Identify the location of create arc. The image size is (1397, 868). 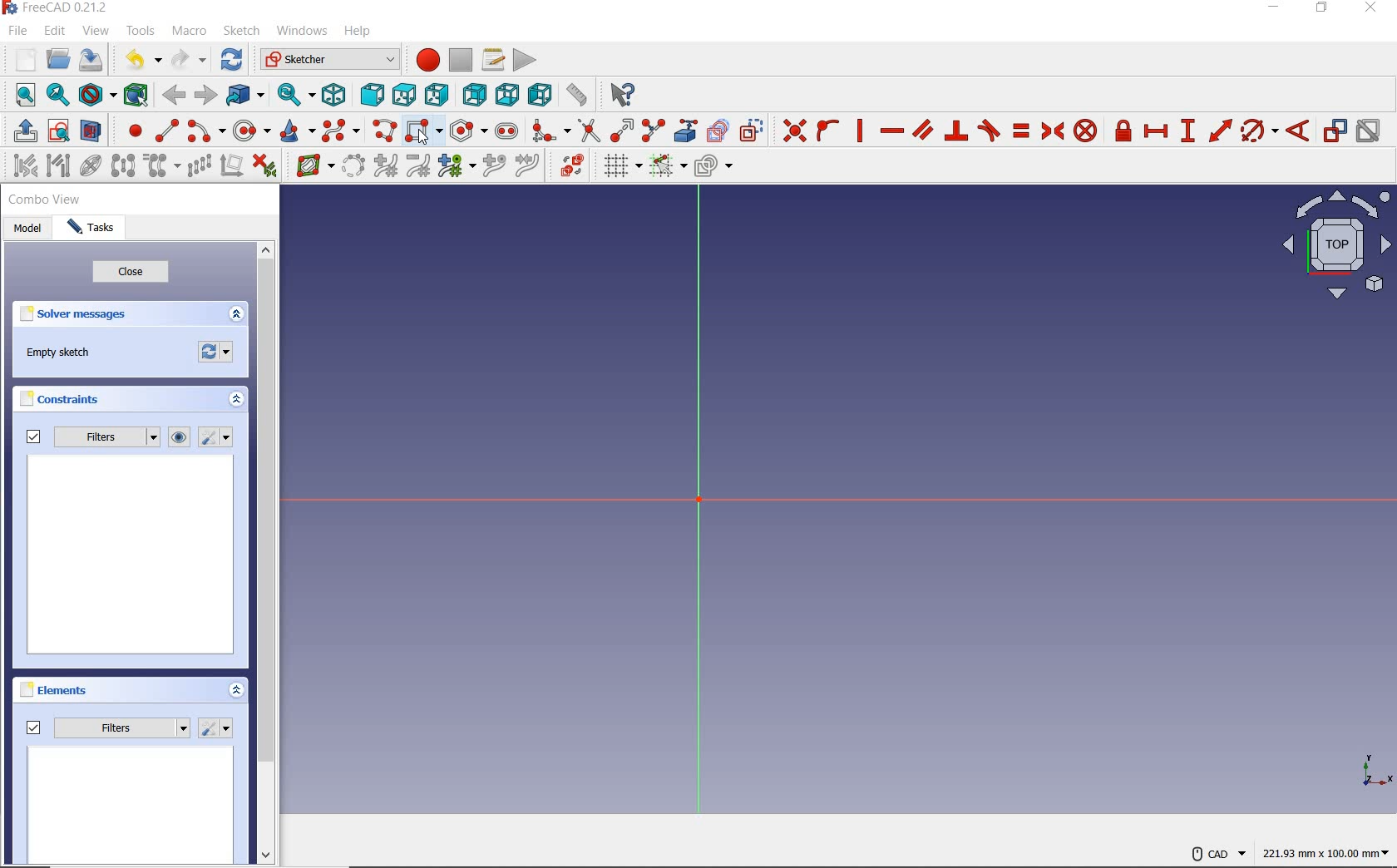
(205, 131).